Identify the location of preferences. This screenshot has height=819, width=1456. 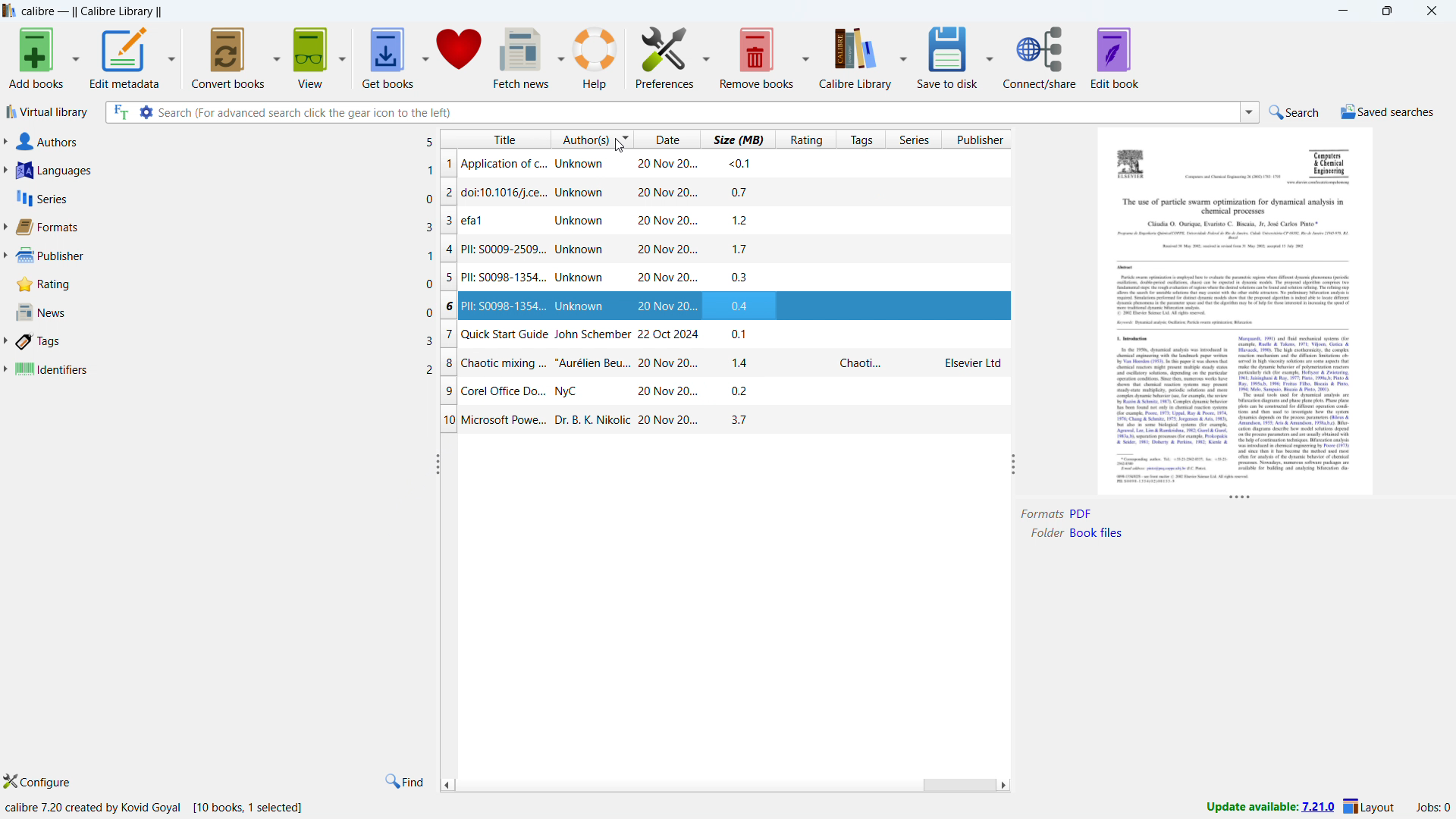
(665, 55).